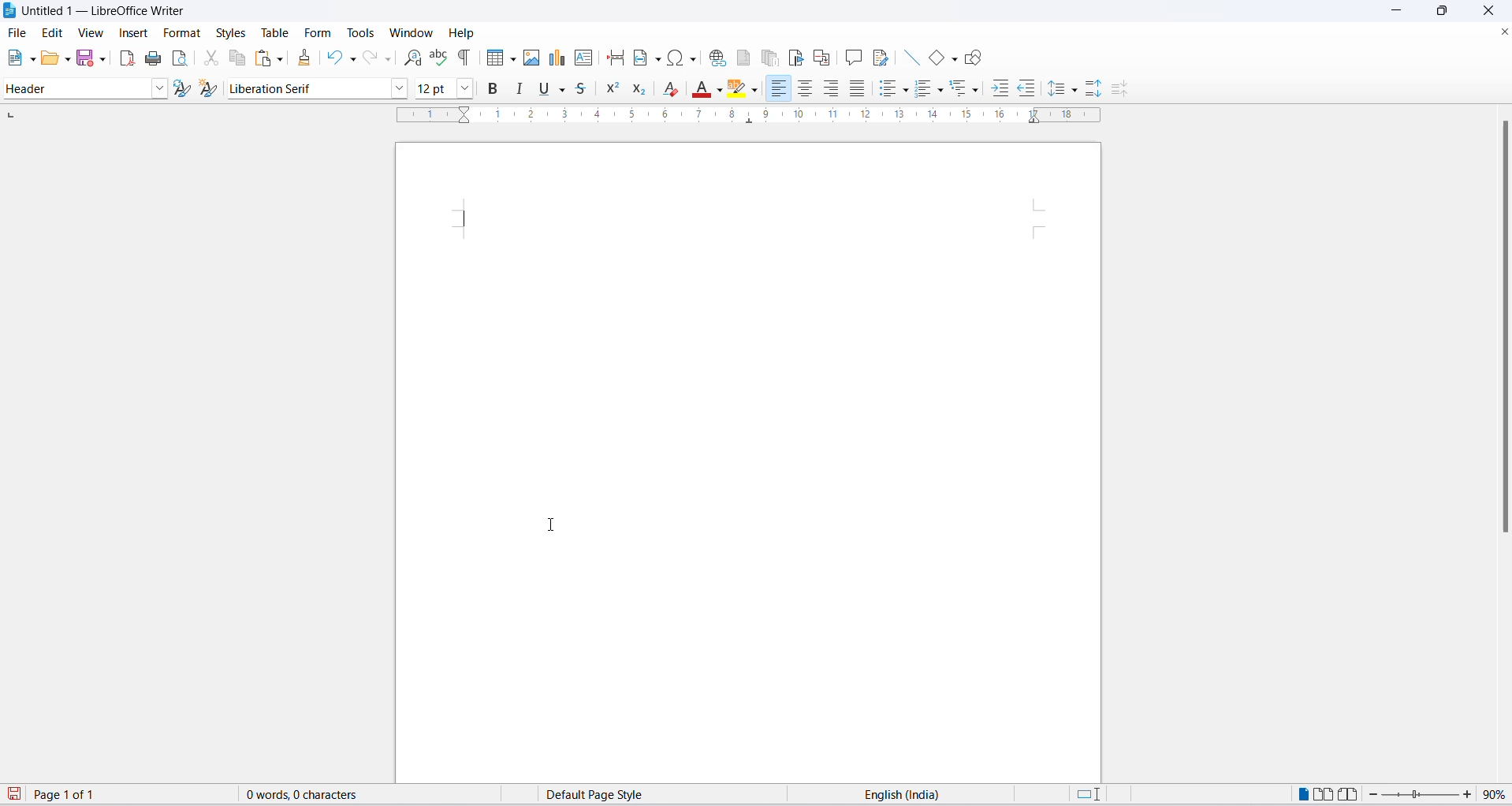 This screenshot has width=1512, height=806. Describe the element at coordinates (744, 57) in the screenshot. I see `insert footnote` at that location.